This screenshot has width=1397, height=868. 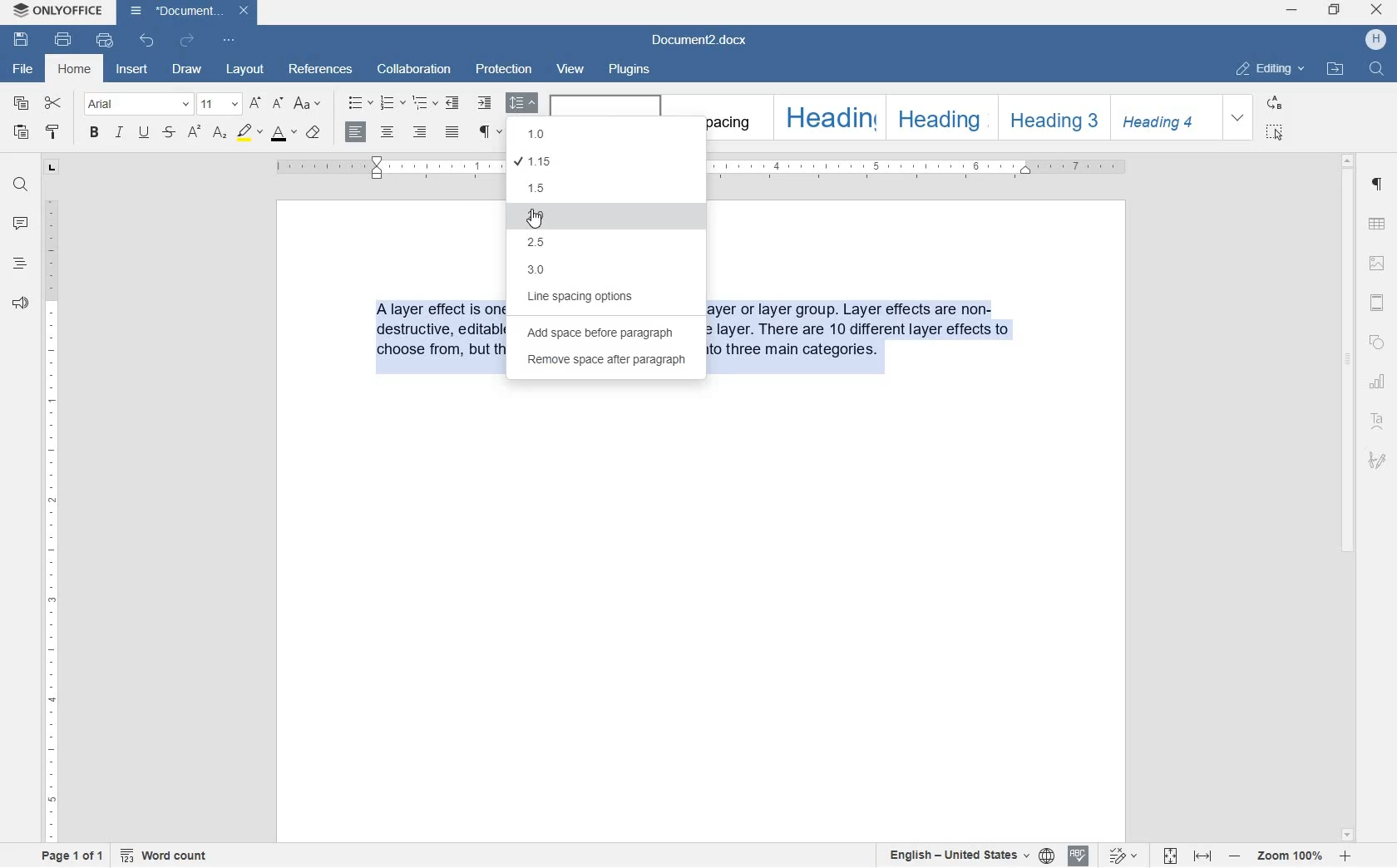 I want to click on 2.0, so click(x=541, y=217).